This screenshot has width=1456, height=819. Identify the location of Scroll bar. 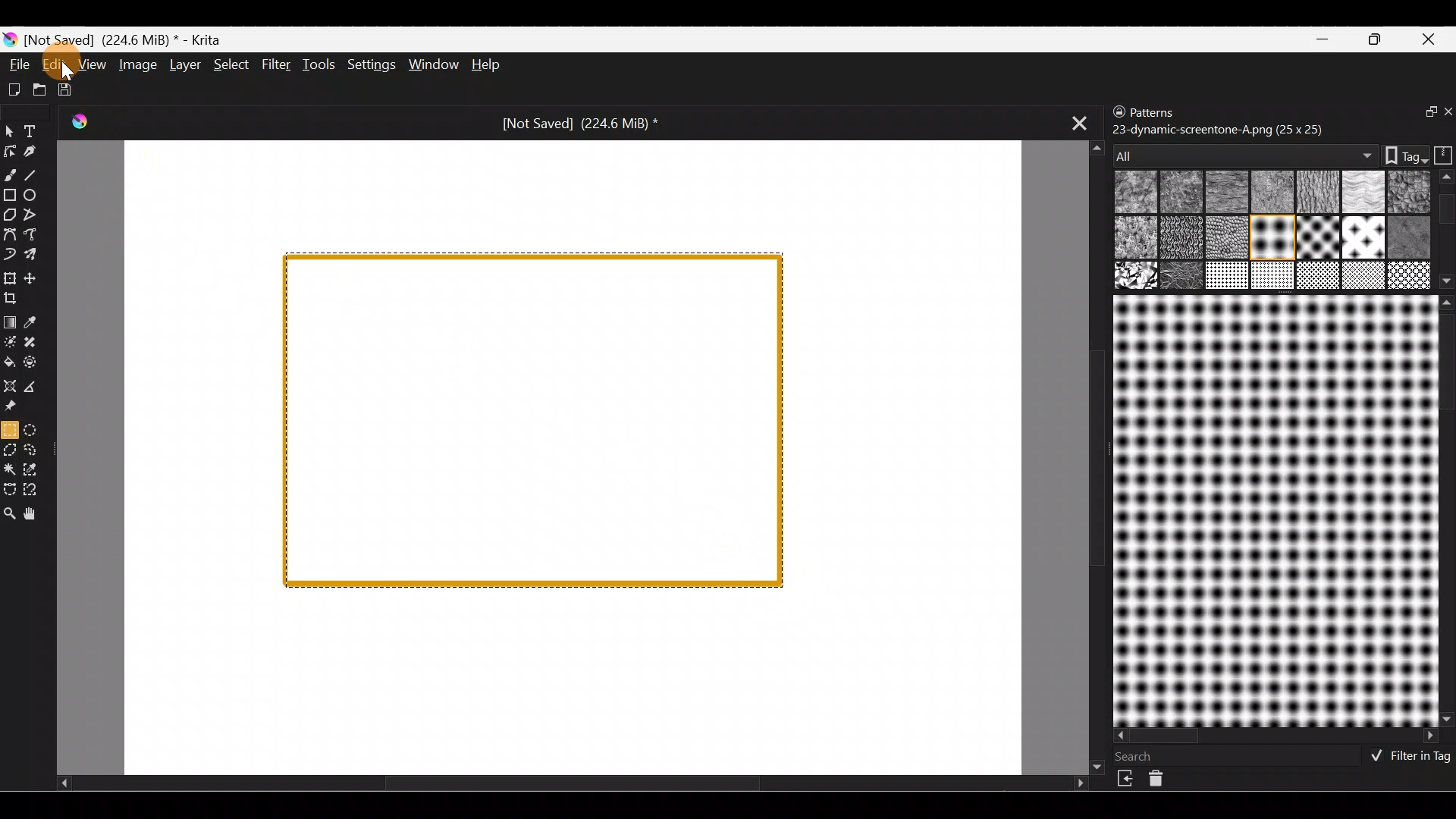
(1446, 510).